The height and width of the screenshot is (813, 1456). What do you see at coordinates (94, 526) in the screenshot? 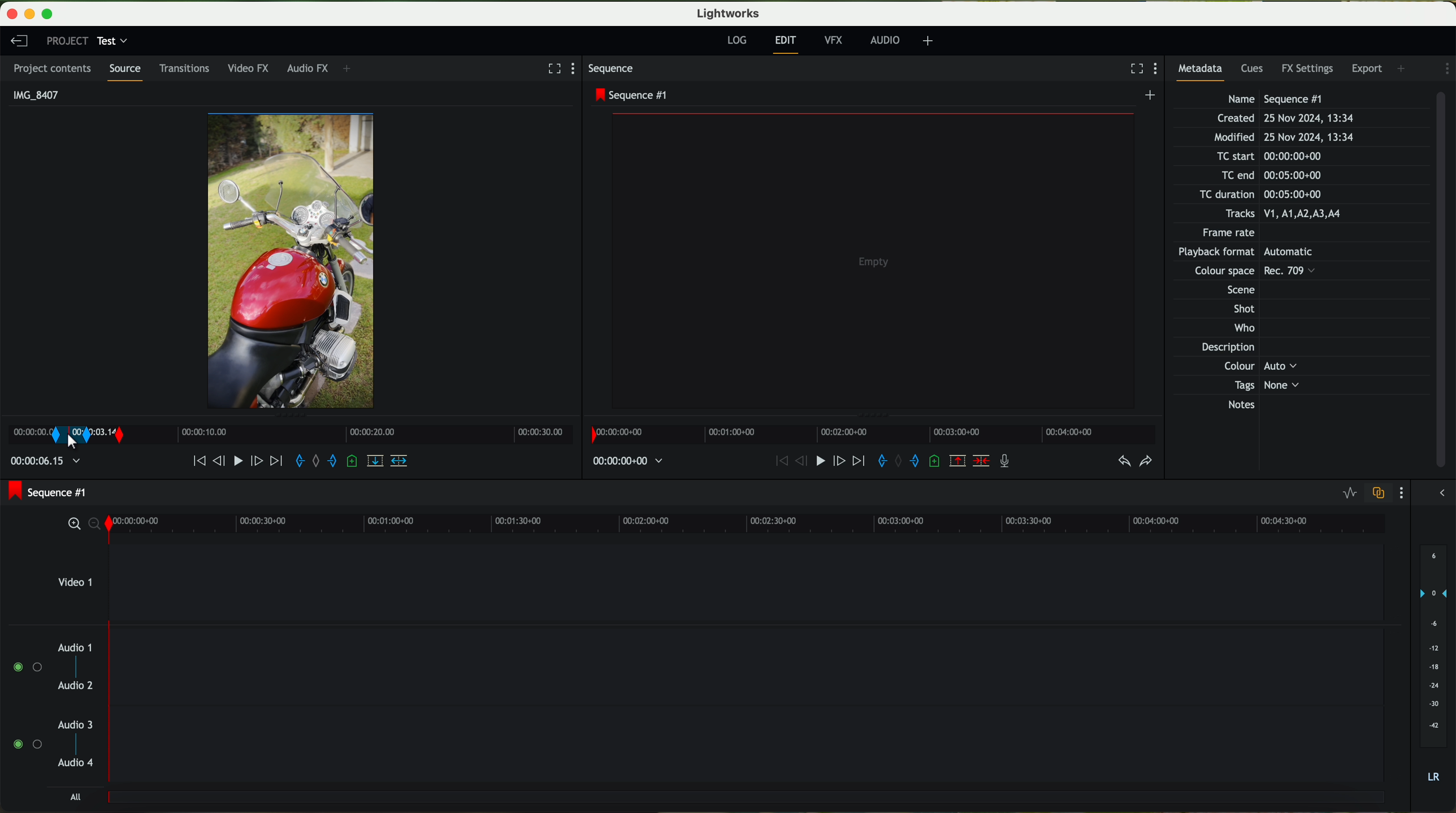
I see `zoom out` at bounding box center [94, 526].